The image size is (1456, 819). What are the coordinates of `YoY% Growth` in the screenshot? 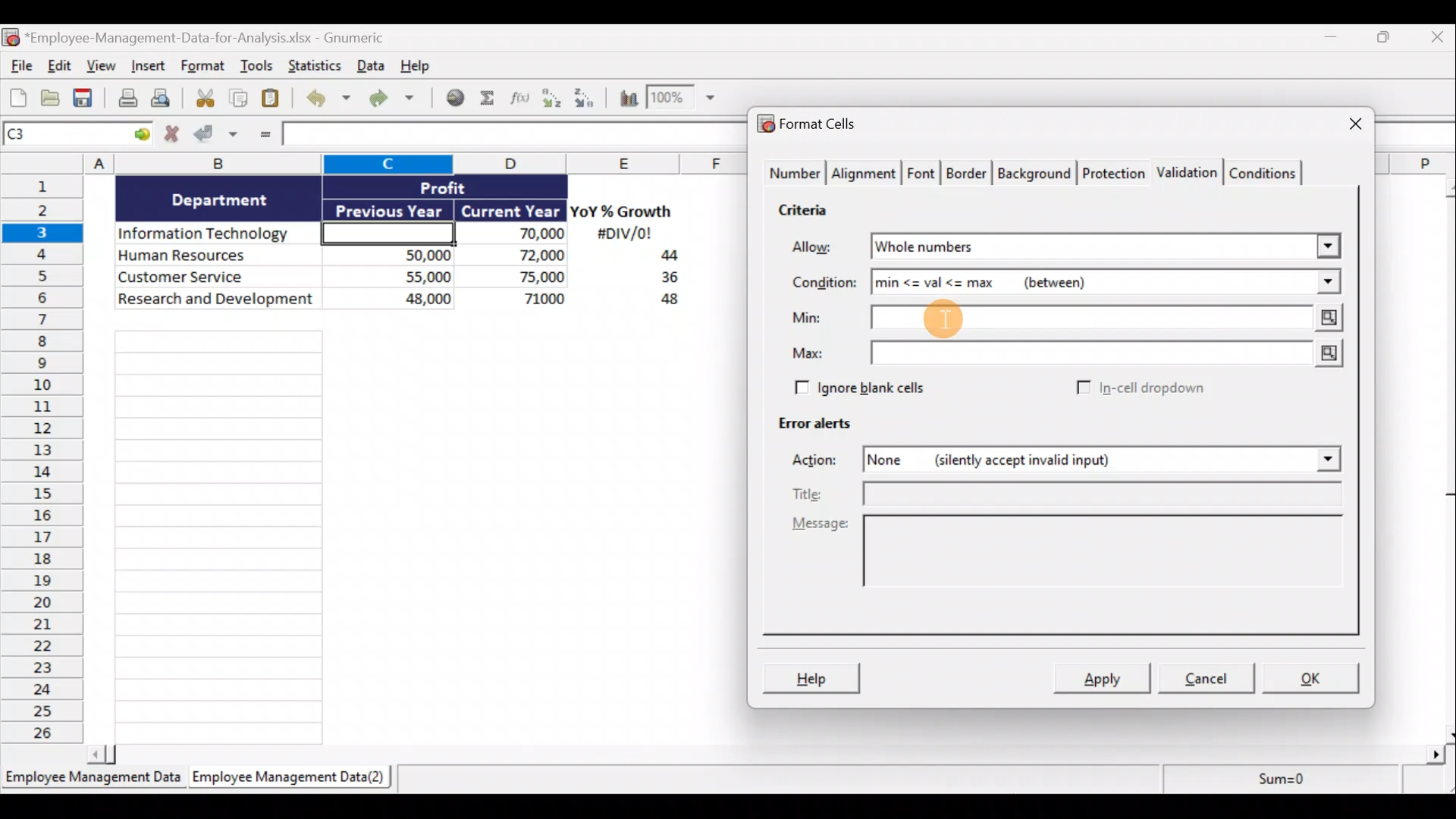 It's located at (622, 212).